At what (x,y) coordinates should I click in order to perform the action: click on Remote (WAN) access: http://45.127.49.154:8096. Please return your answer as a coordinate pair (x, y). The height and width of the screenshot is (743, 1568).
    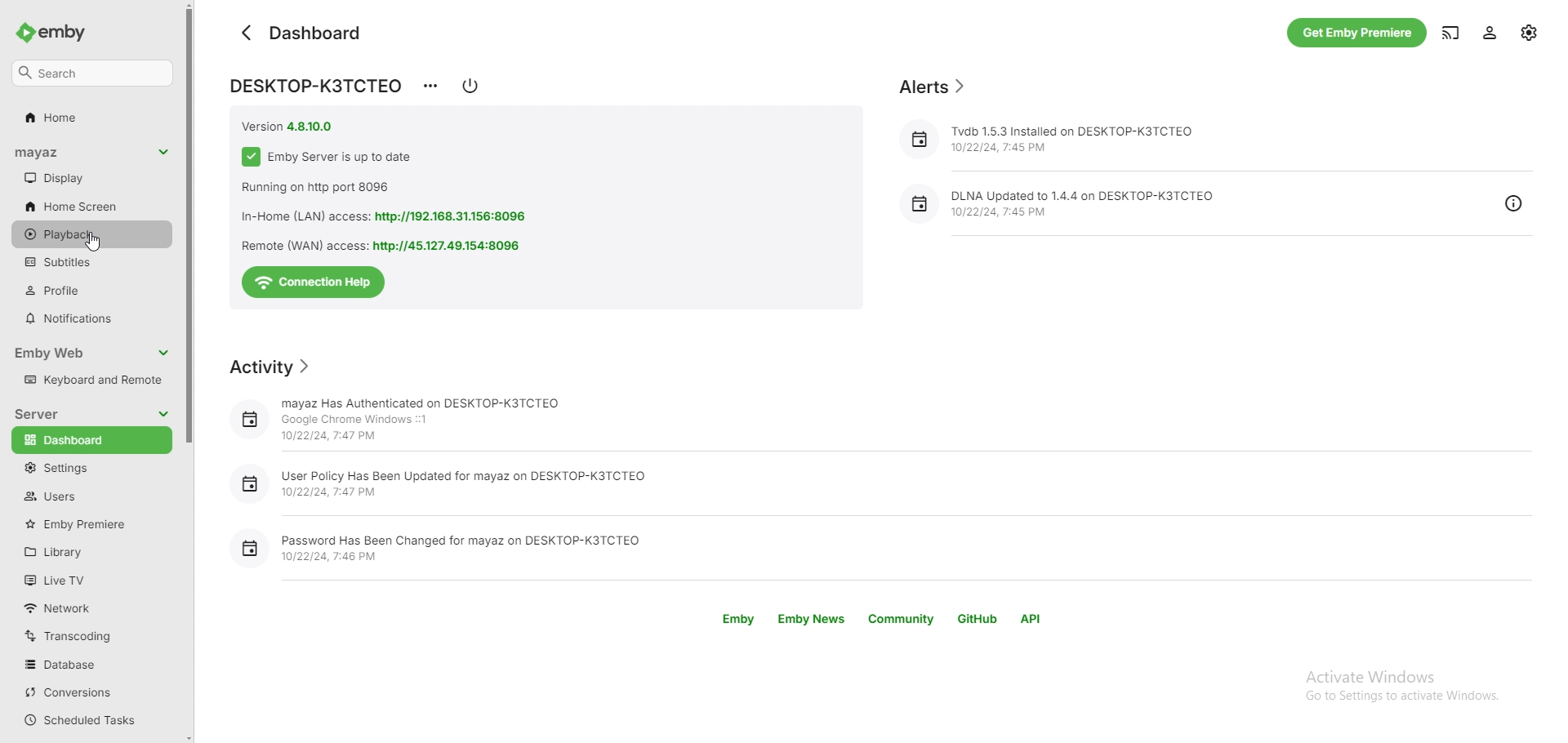
    Looking at the image, I should click on (393, 247).